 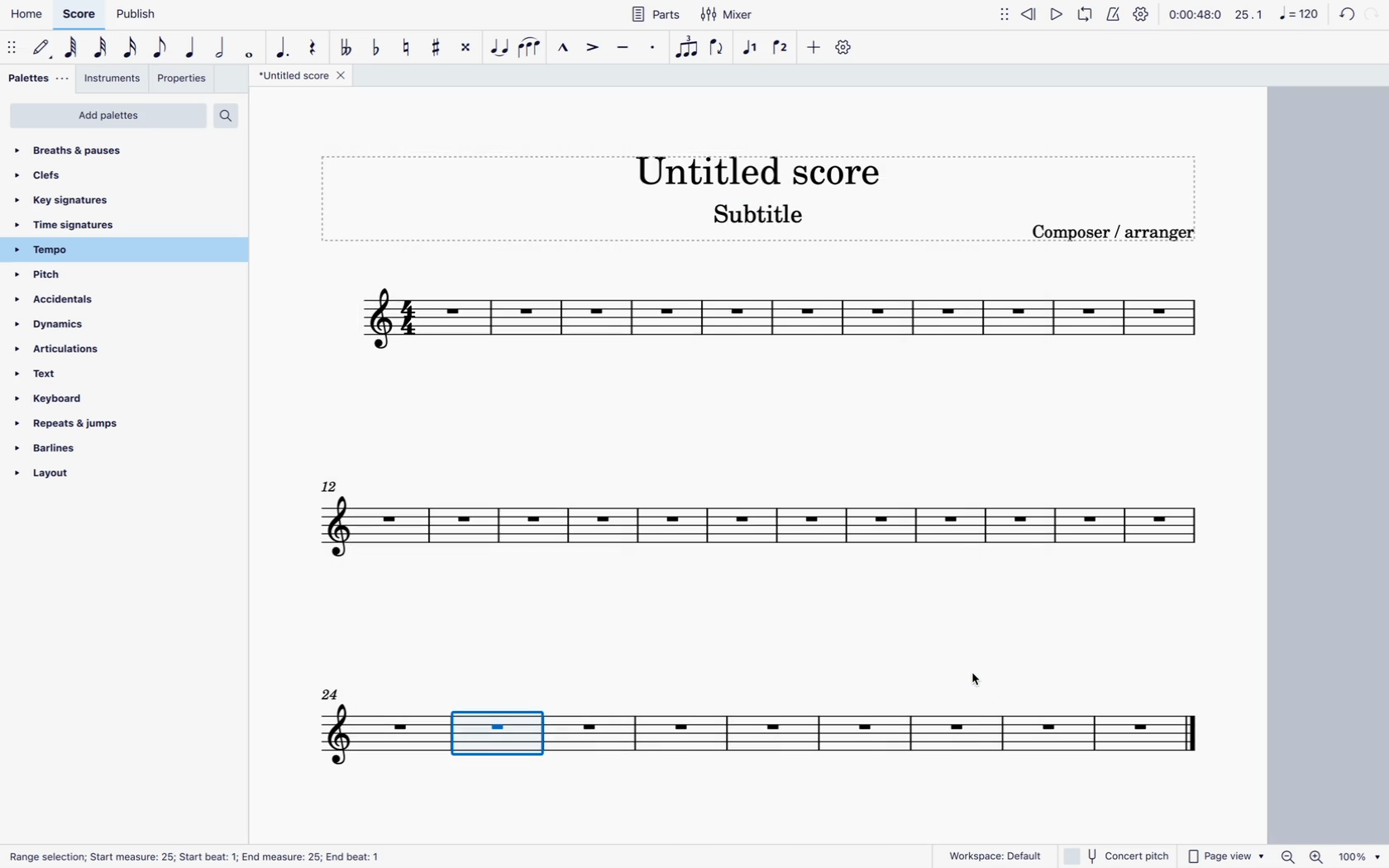 I want to click on 64th note, so click(x=73, y=47).